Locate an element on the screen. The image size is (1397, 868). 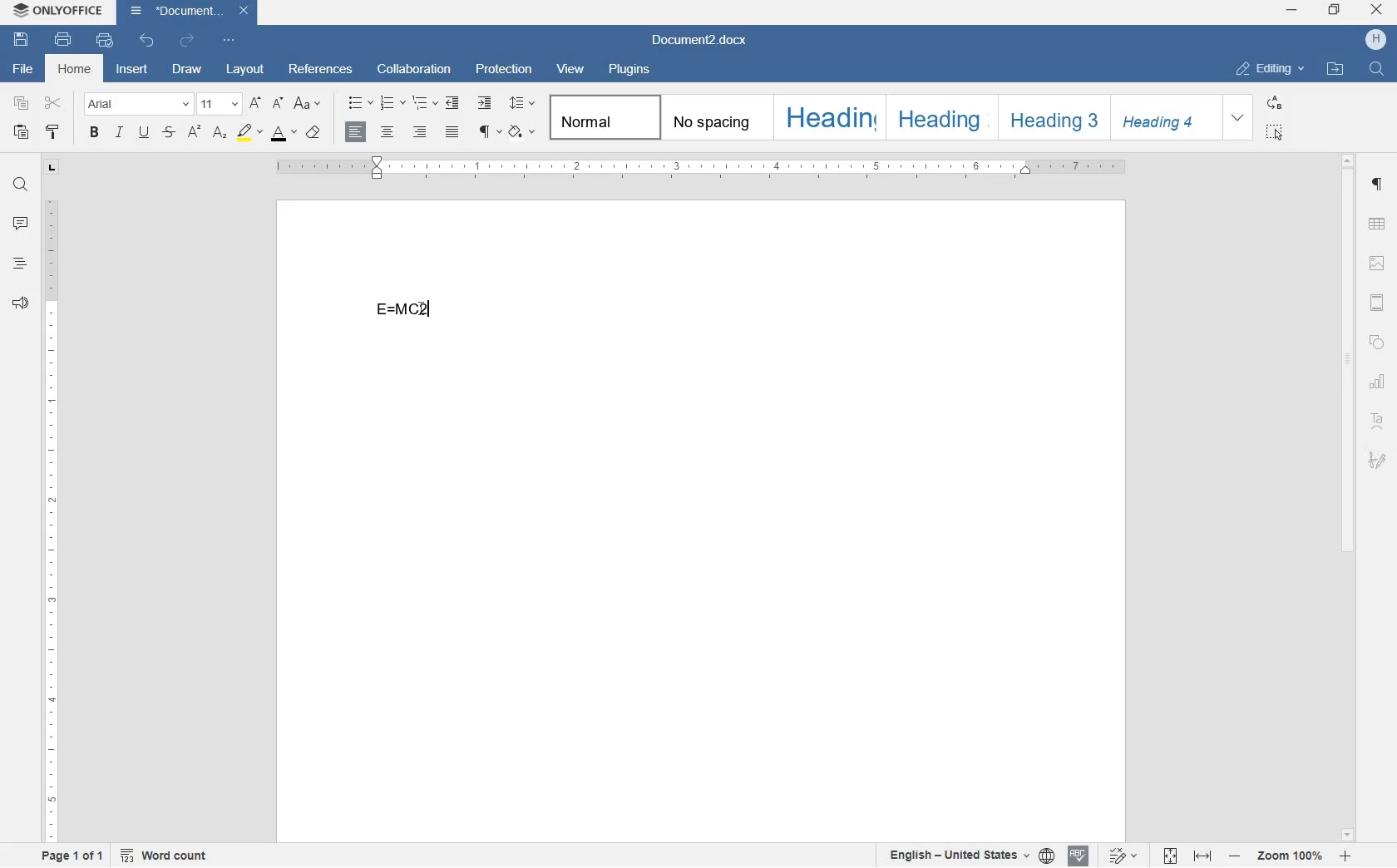
header & footer is located at coordinates (1379, 303).